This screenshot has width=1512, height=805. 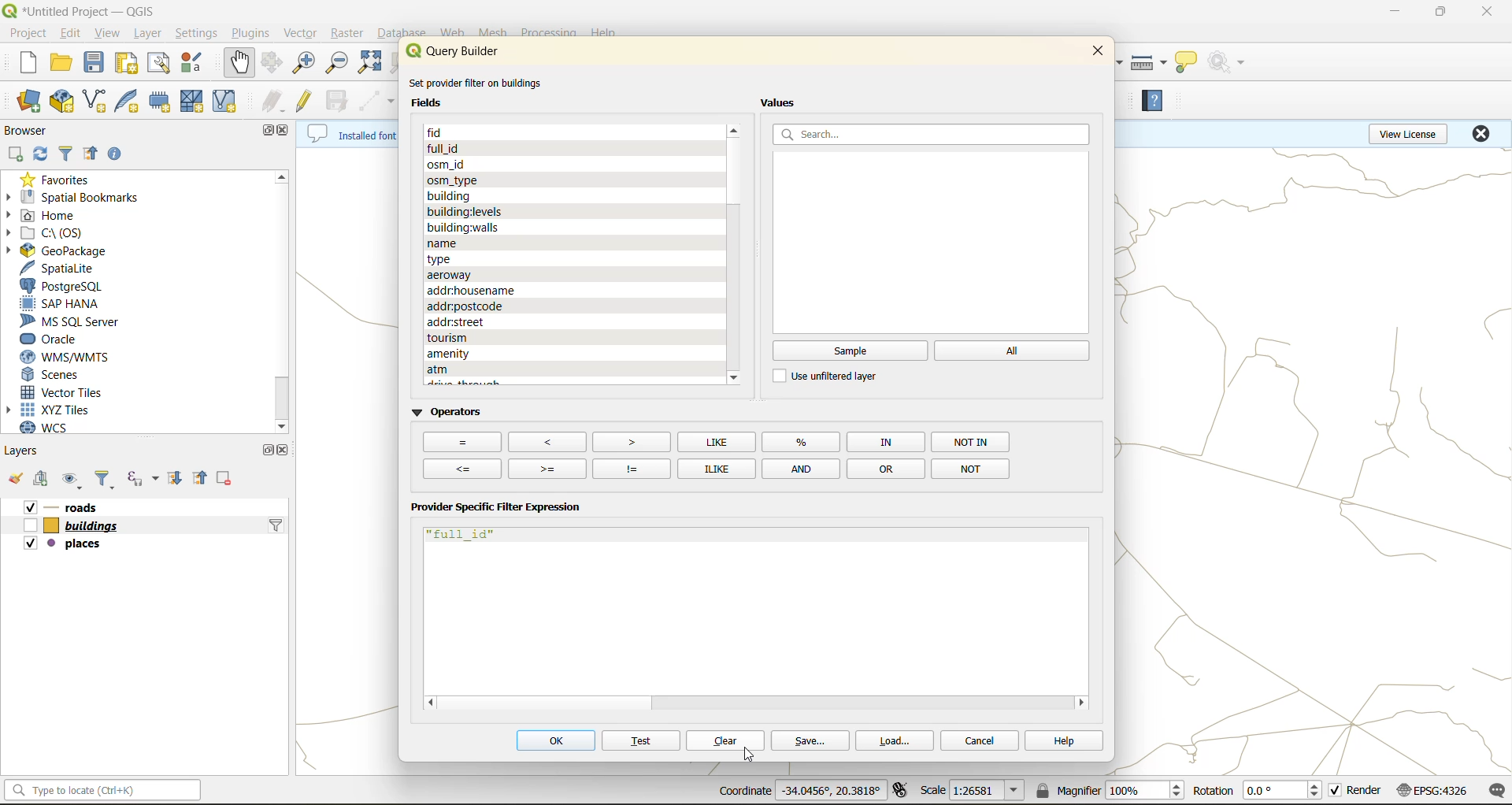 What do you see at coordinates (61, 355) in the screenshot?
I see `wns` at bounding box center [61, 355].